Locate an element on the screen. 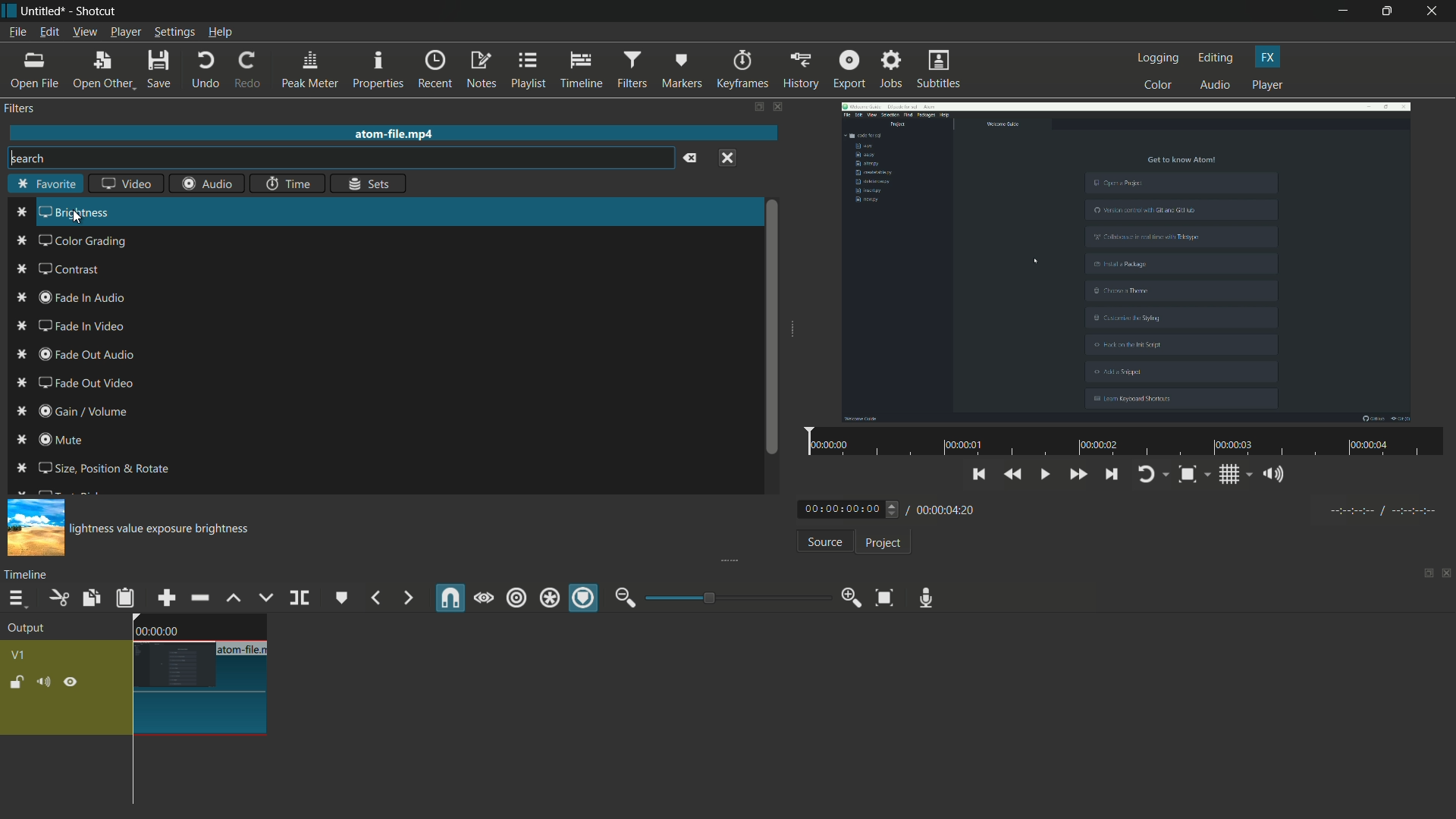 The width and height of the screenshot is (1456, 819). playlist is located at coordinates (529, 70).